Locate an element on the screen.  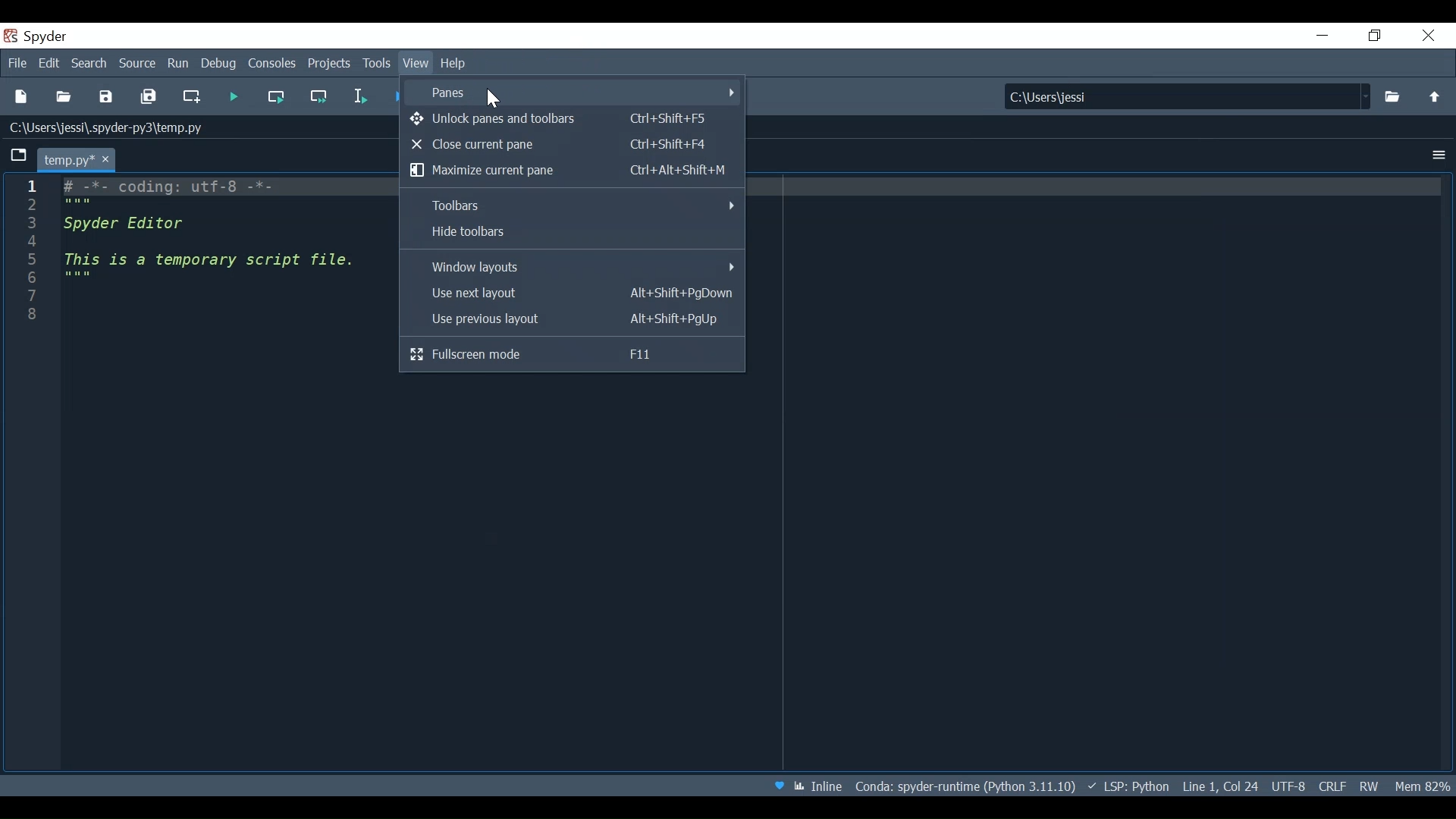
Save File is located at coordinates (106, 98).